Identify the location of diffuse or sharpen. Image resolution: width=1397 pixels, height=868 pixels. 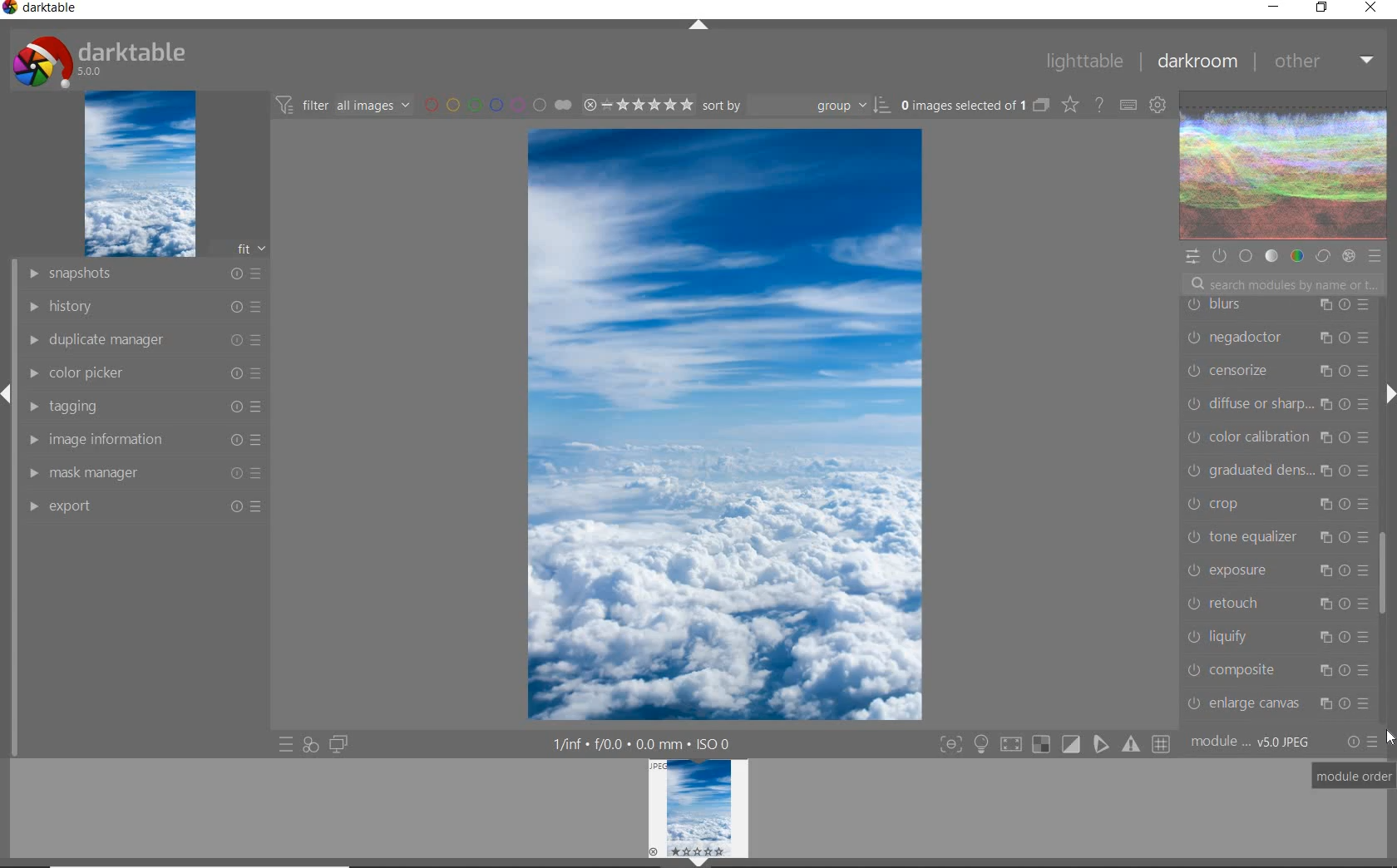
(1277, 404).